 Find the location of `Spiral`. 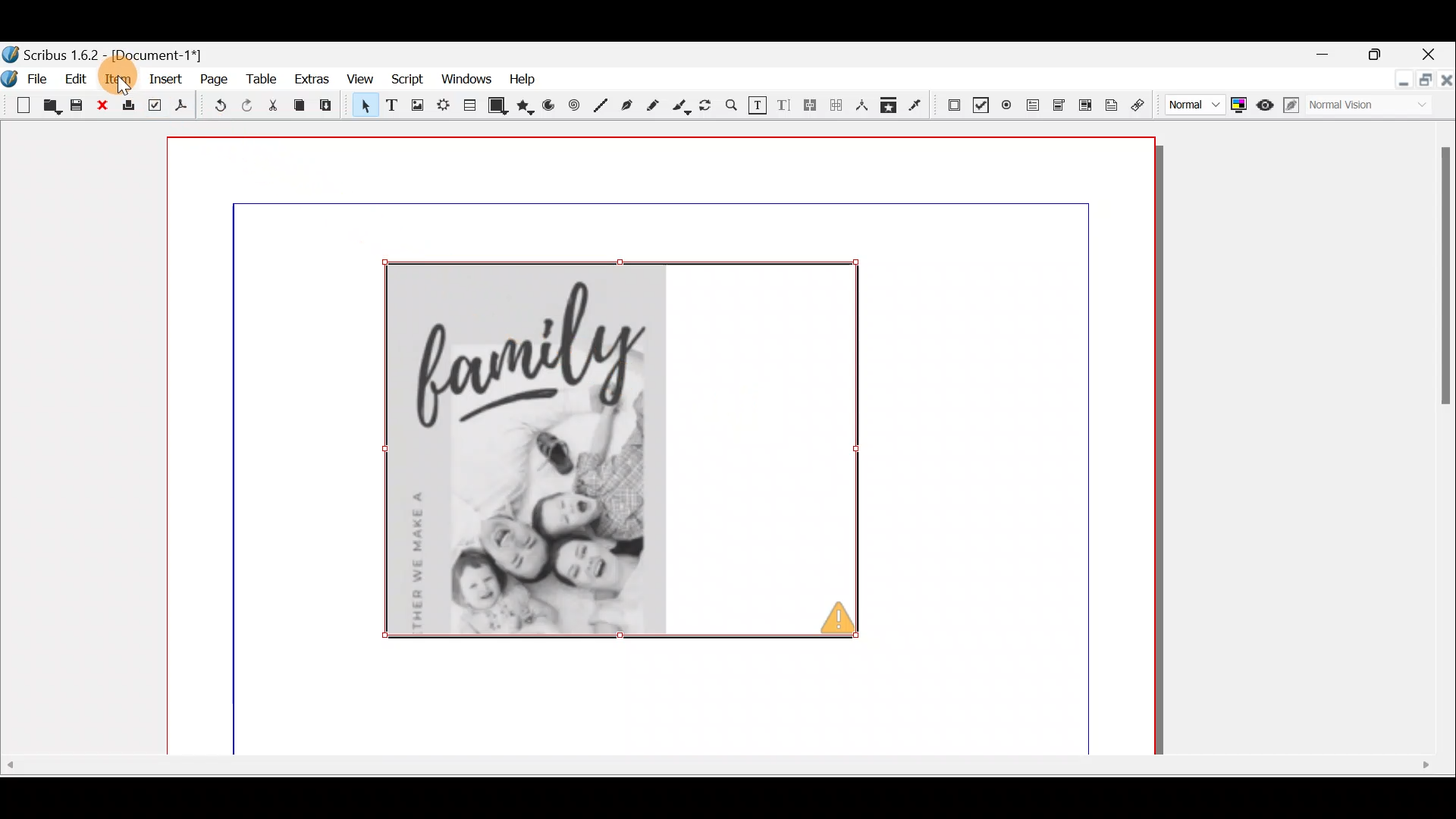

Spiral is located at coordinates (577, 107).